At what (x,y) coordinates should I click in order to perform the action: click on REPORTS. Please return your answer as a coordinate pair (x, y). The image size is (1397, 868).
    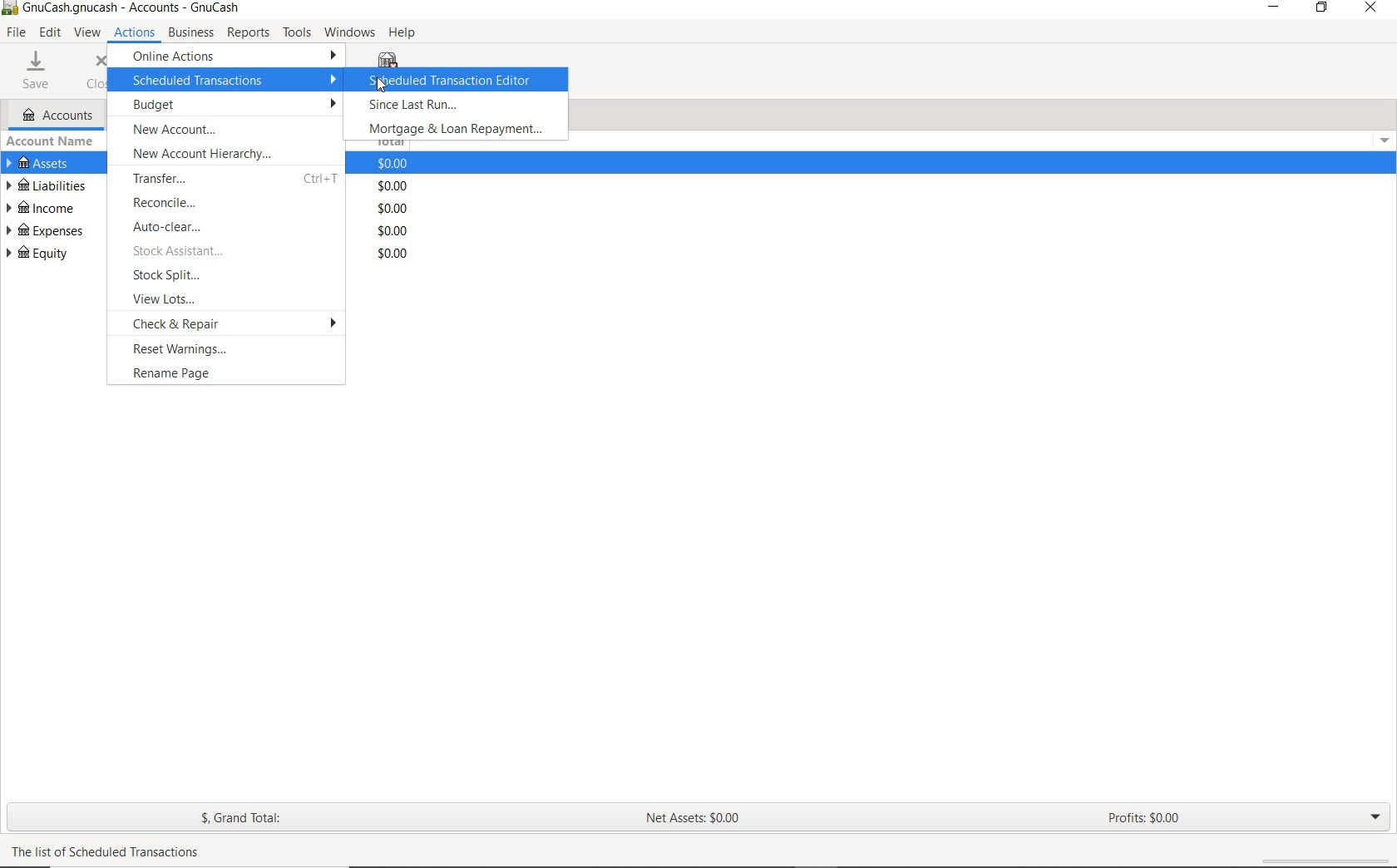
    Looking at the image, I should click on (249, 32).